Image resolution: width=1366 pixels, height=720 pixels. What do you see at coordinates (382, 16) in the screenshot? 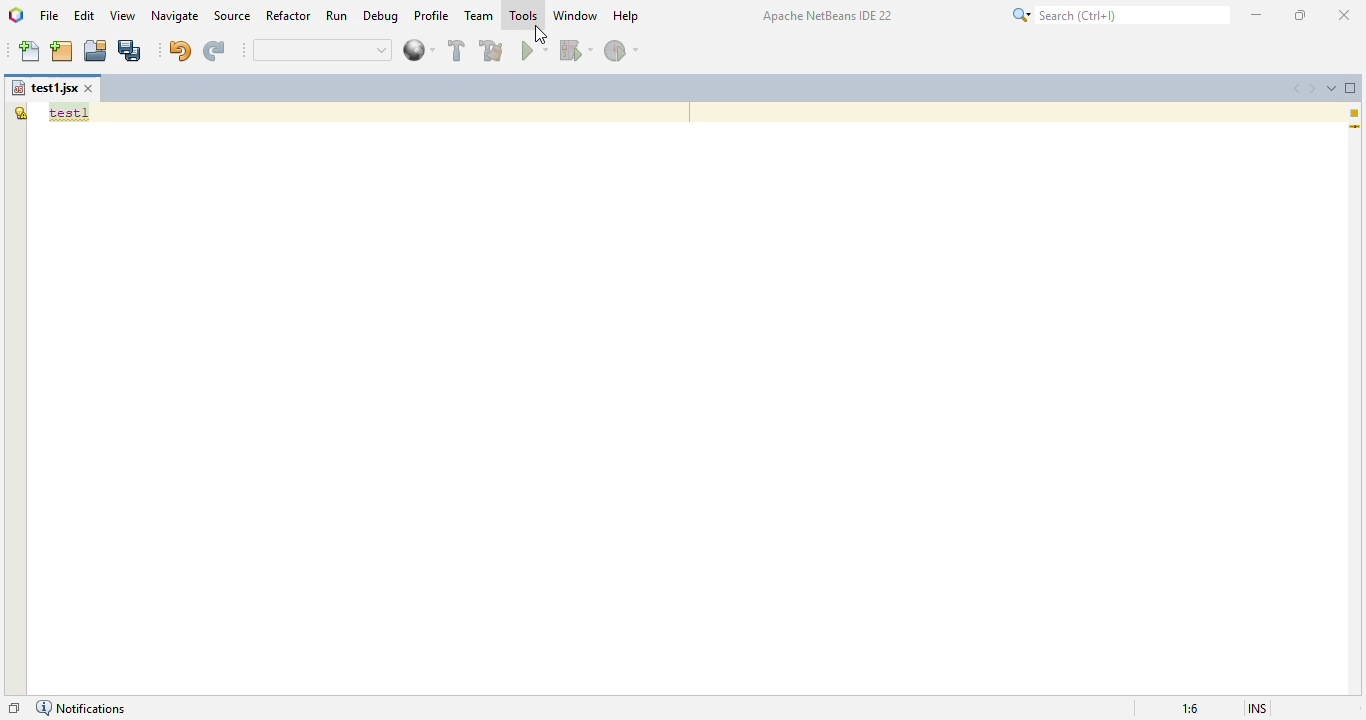
I see `debug` at bounding box center [382, 16].